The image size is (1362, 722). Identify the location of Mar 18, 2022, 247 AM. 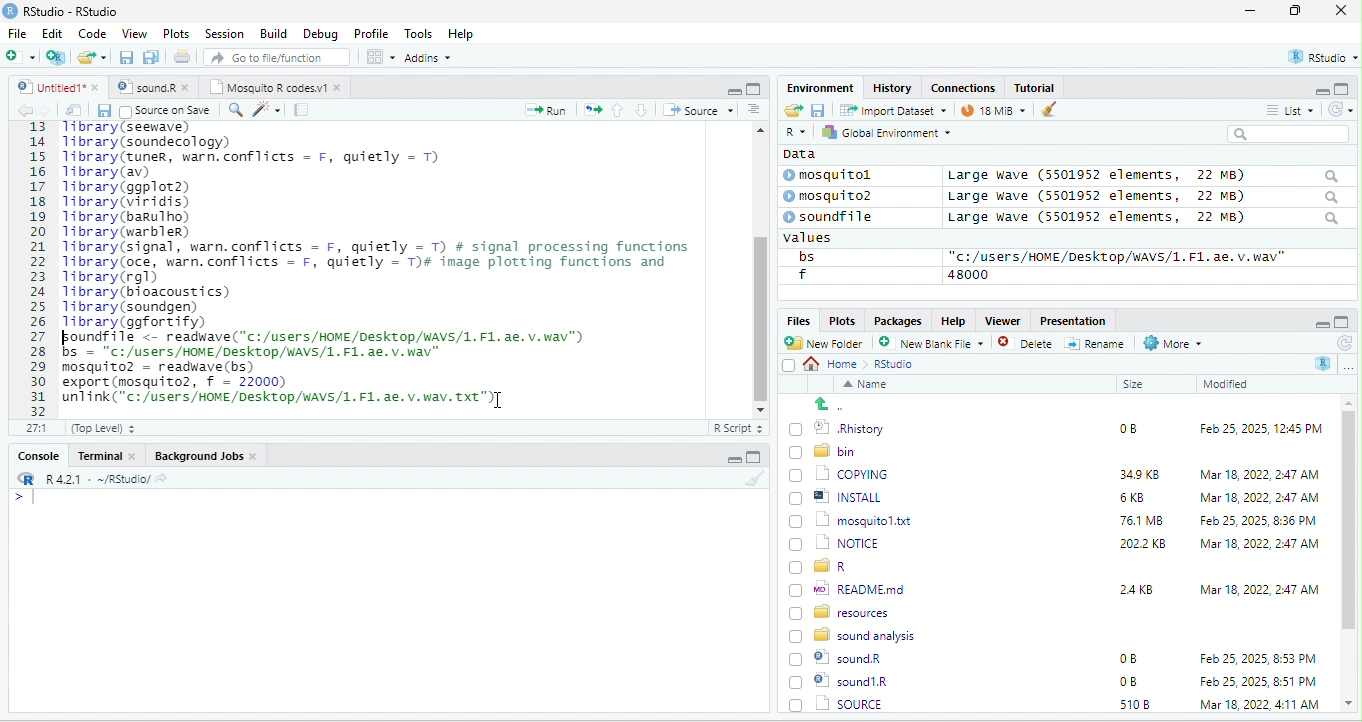
(1260, 474).